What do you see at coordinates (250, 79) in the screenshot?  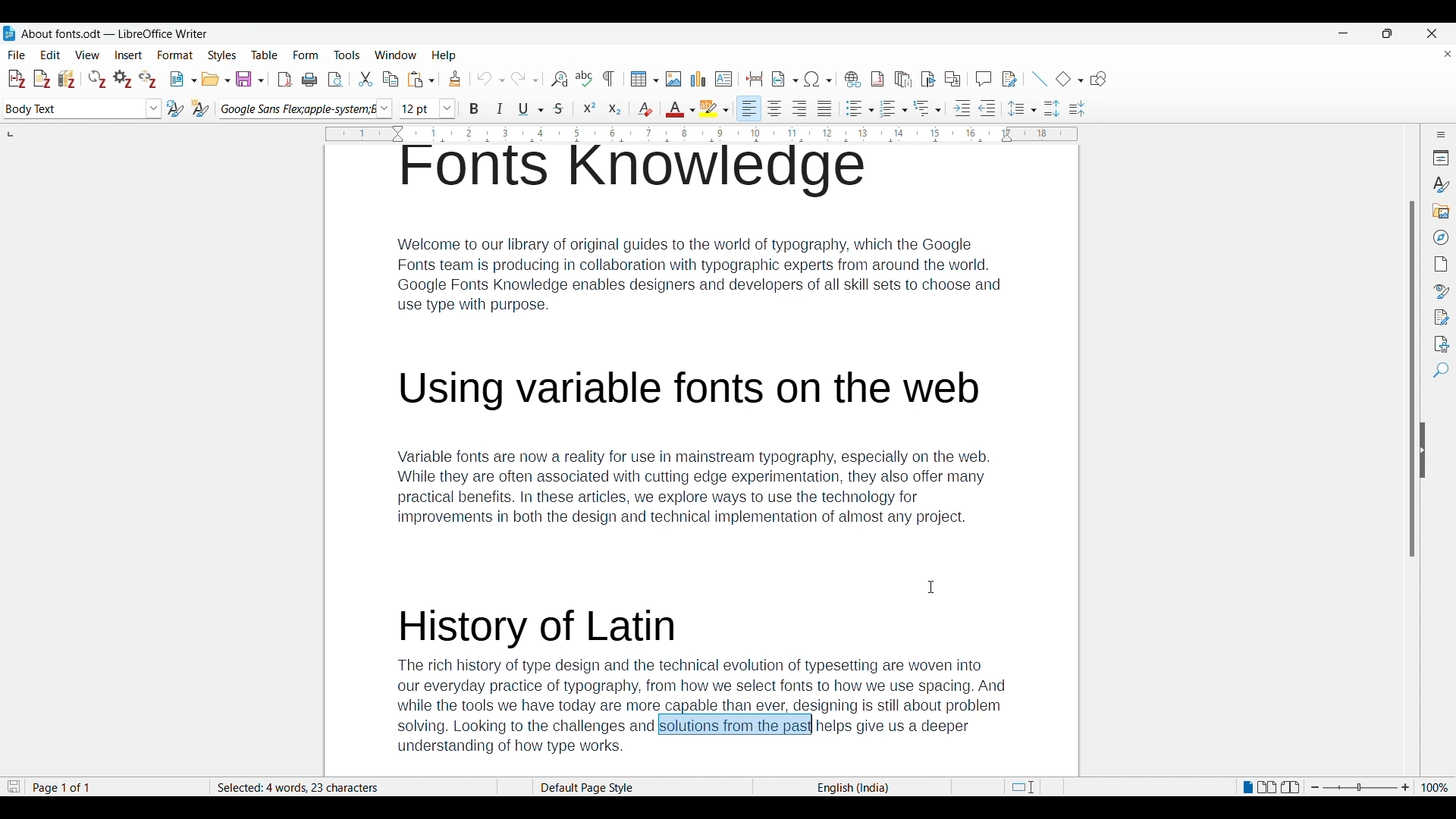 I see `Save options` at bounding box center [250, 79].